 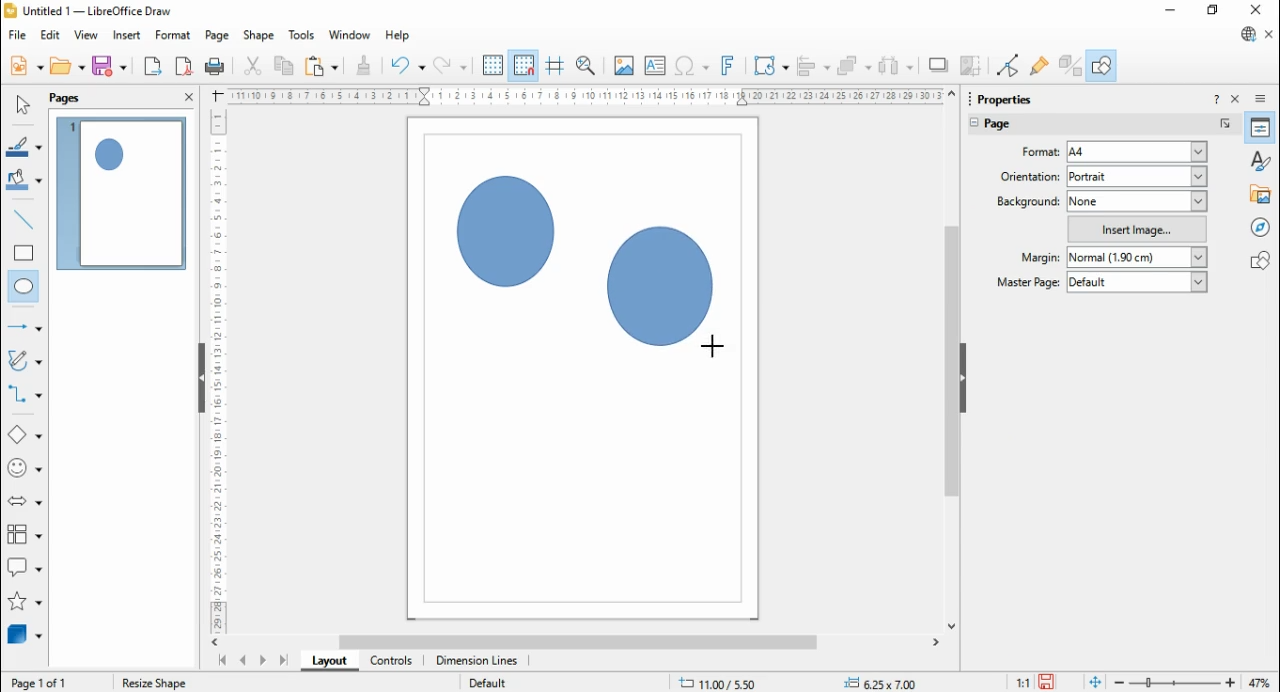 I want to click on Default, so click(x=487, y=681).